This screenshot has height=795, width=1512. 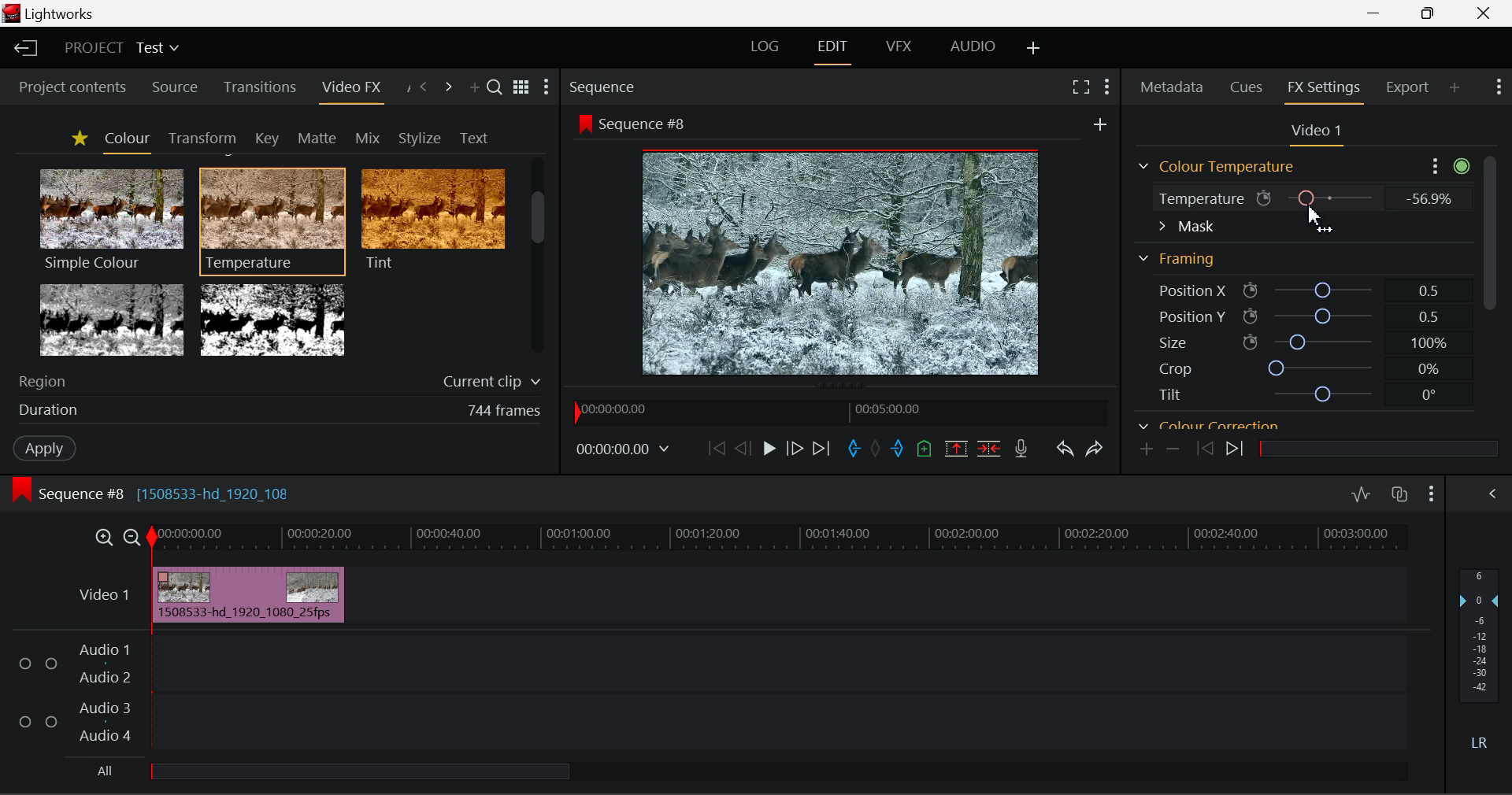 What do you see at coordinates (1033, 48) in the screenshot?
I see `Add Layout` at bounding box center [1033, 48].